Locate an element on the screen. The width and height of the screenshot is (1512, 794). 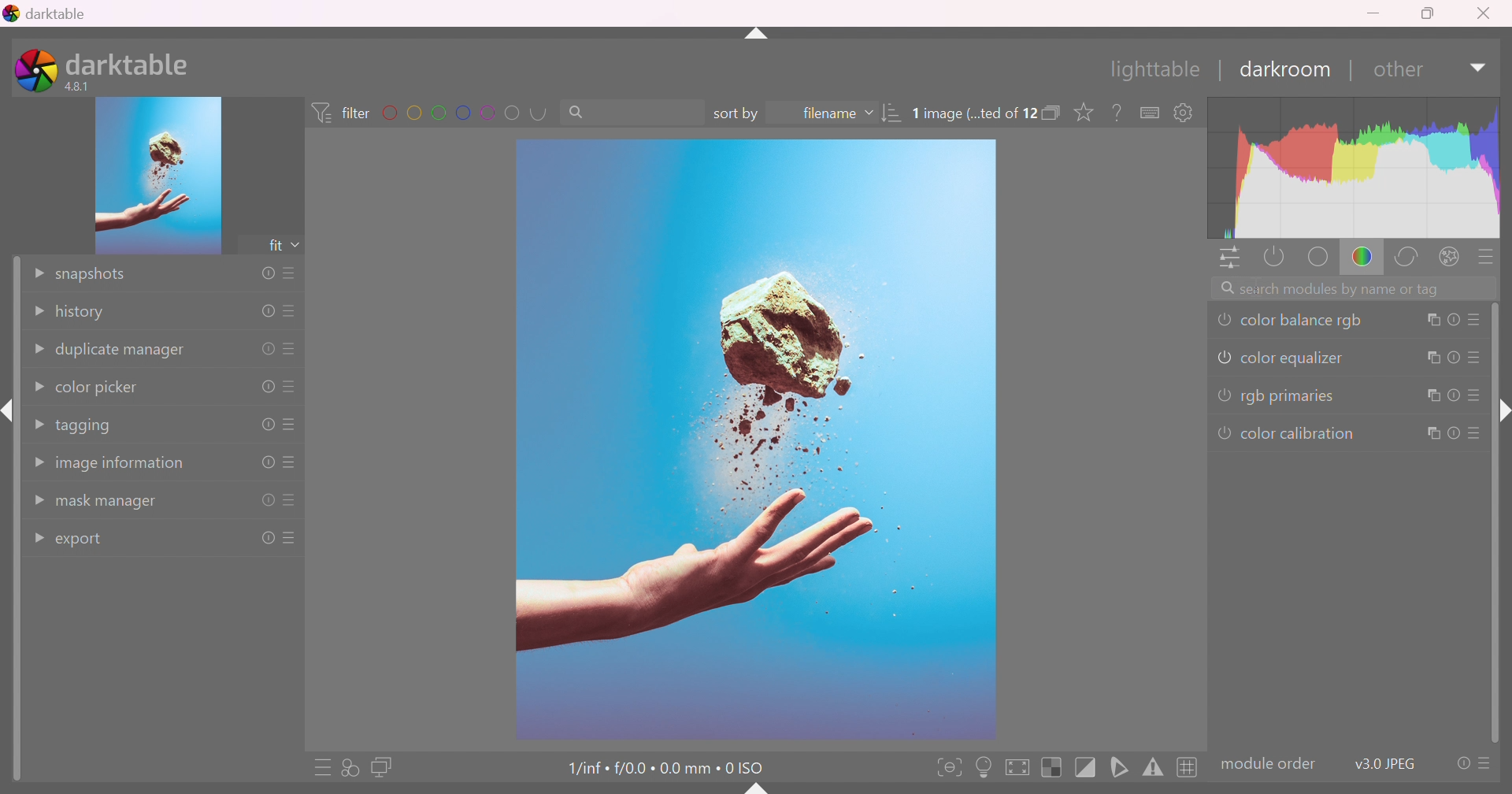
history is located at coordinates (83, 312).